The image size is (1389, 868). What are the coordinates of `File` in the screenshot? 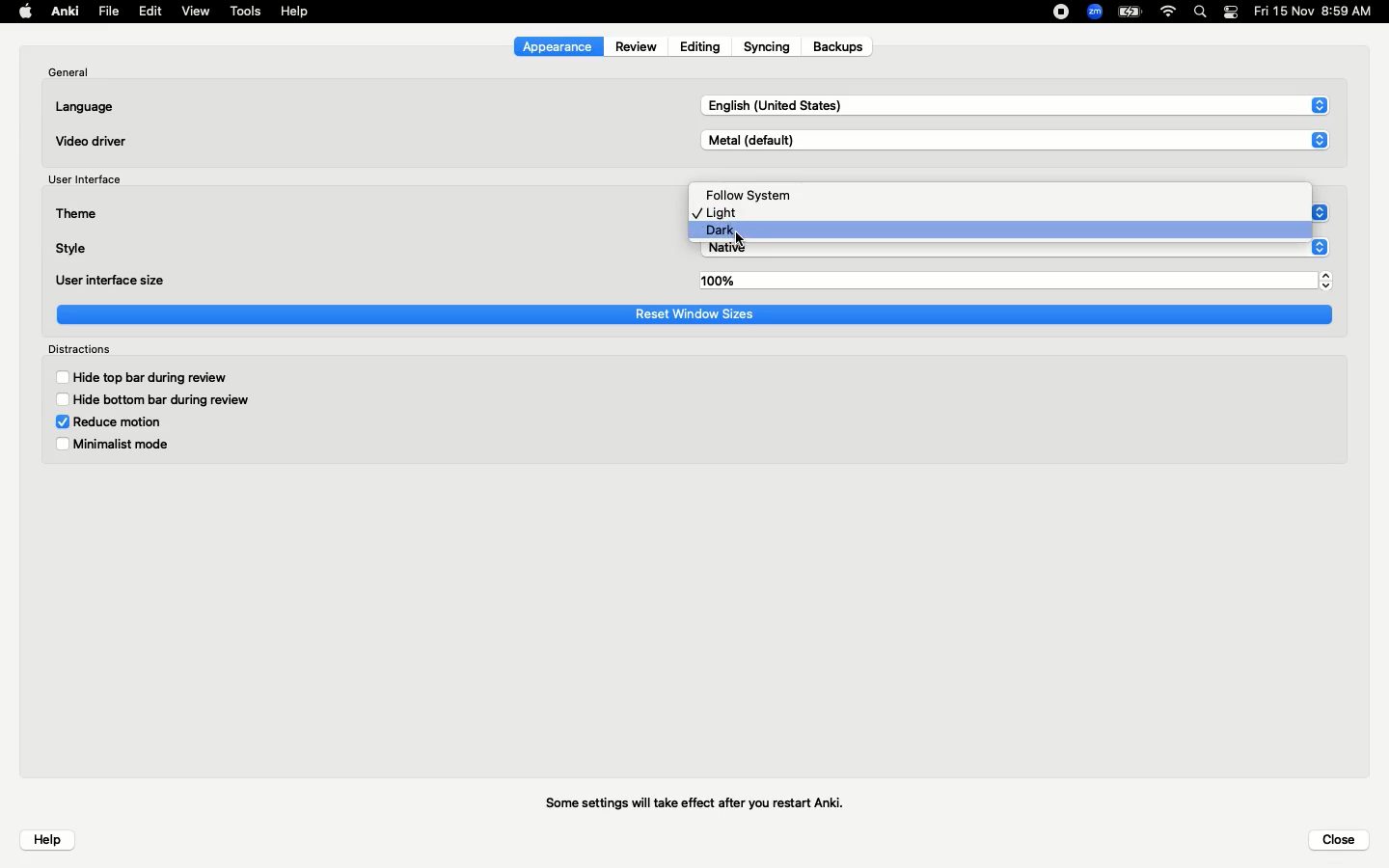 It's located at (110, 10).